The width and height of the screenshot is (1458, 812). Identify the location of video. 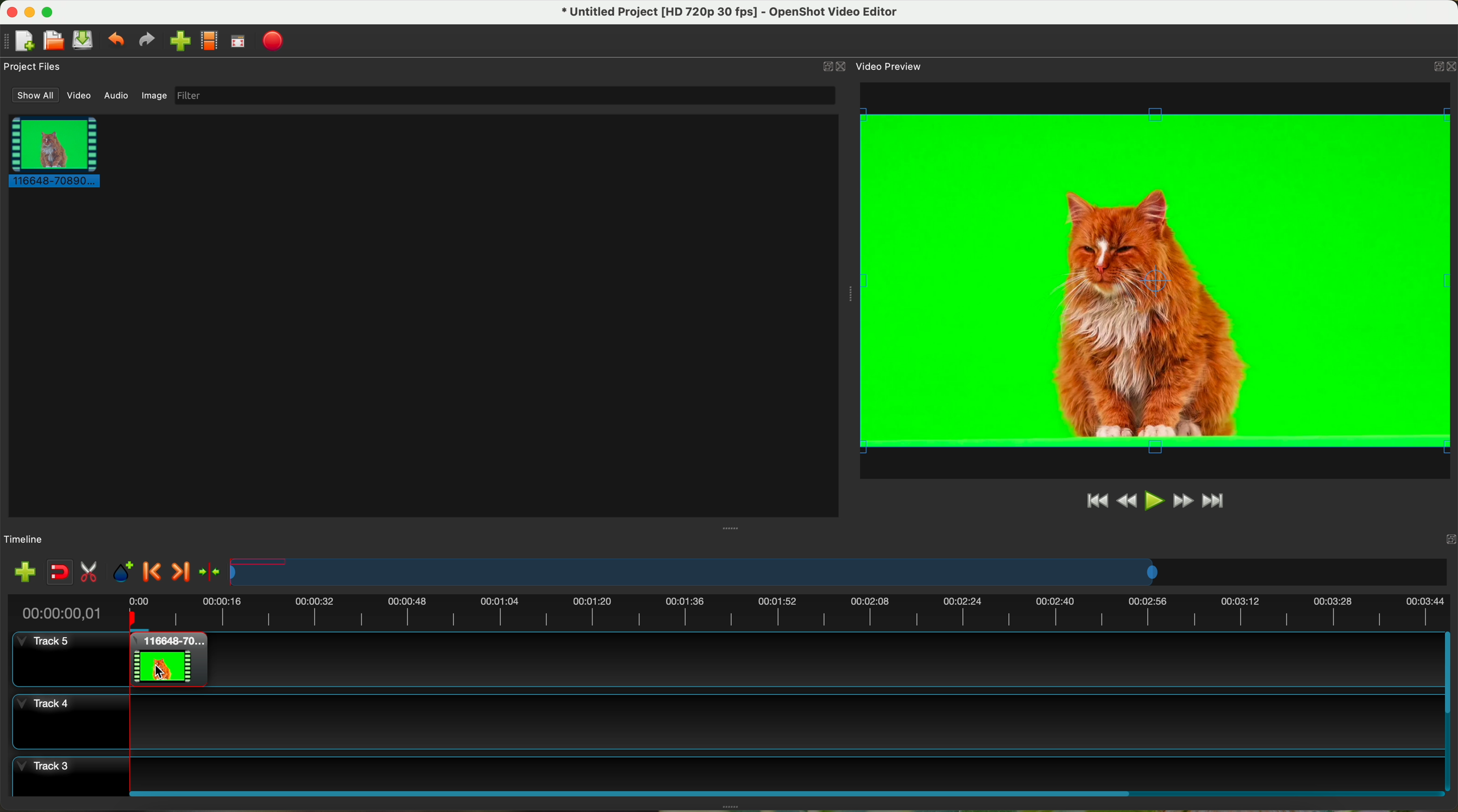
(80, 96).